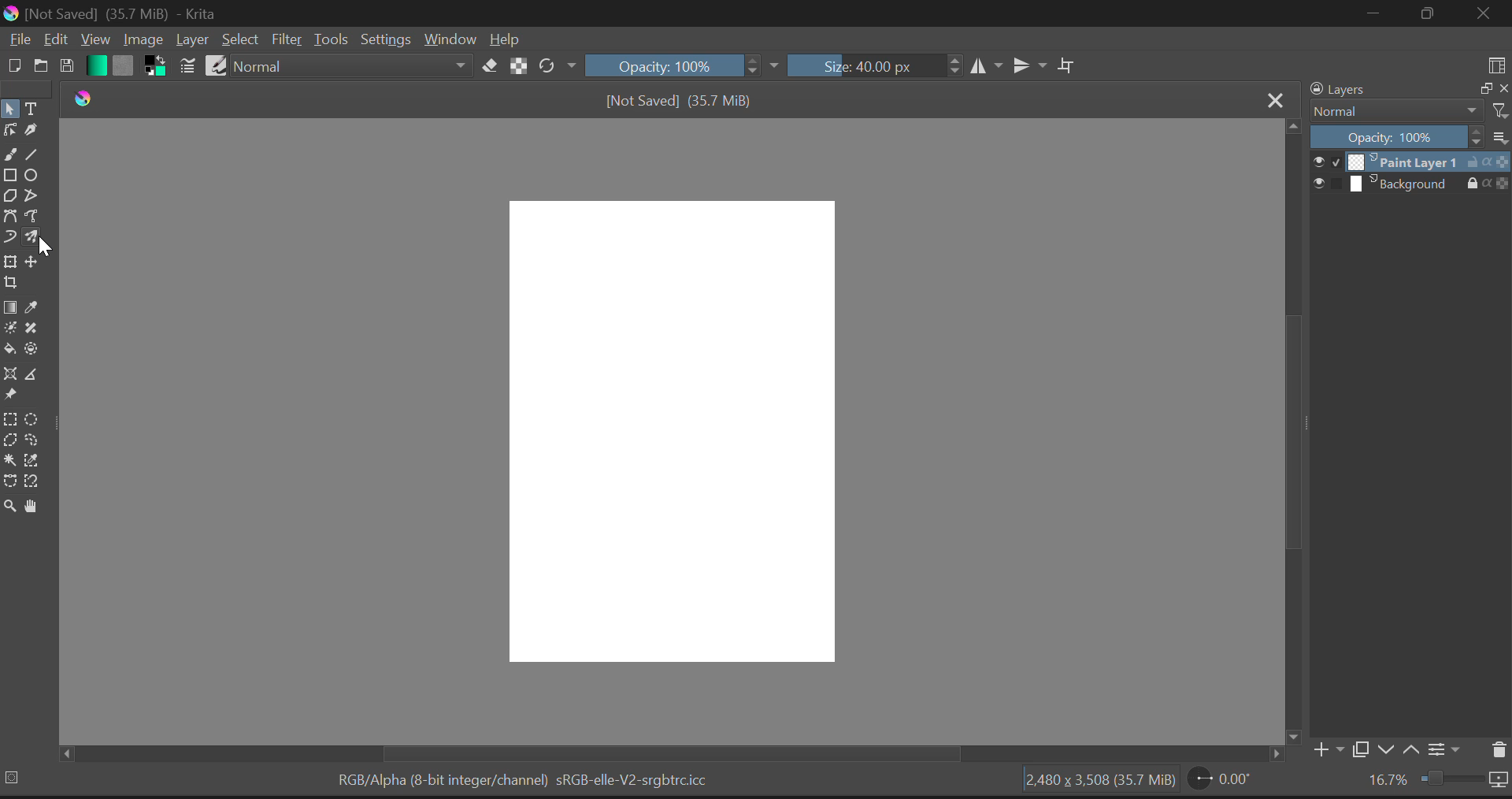 This screenshot has height=799, width=1512. I want to click on Scroll Bar, so click(658, 754).